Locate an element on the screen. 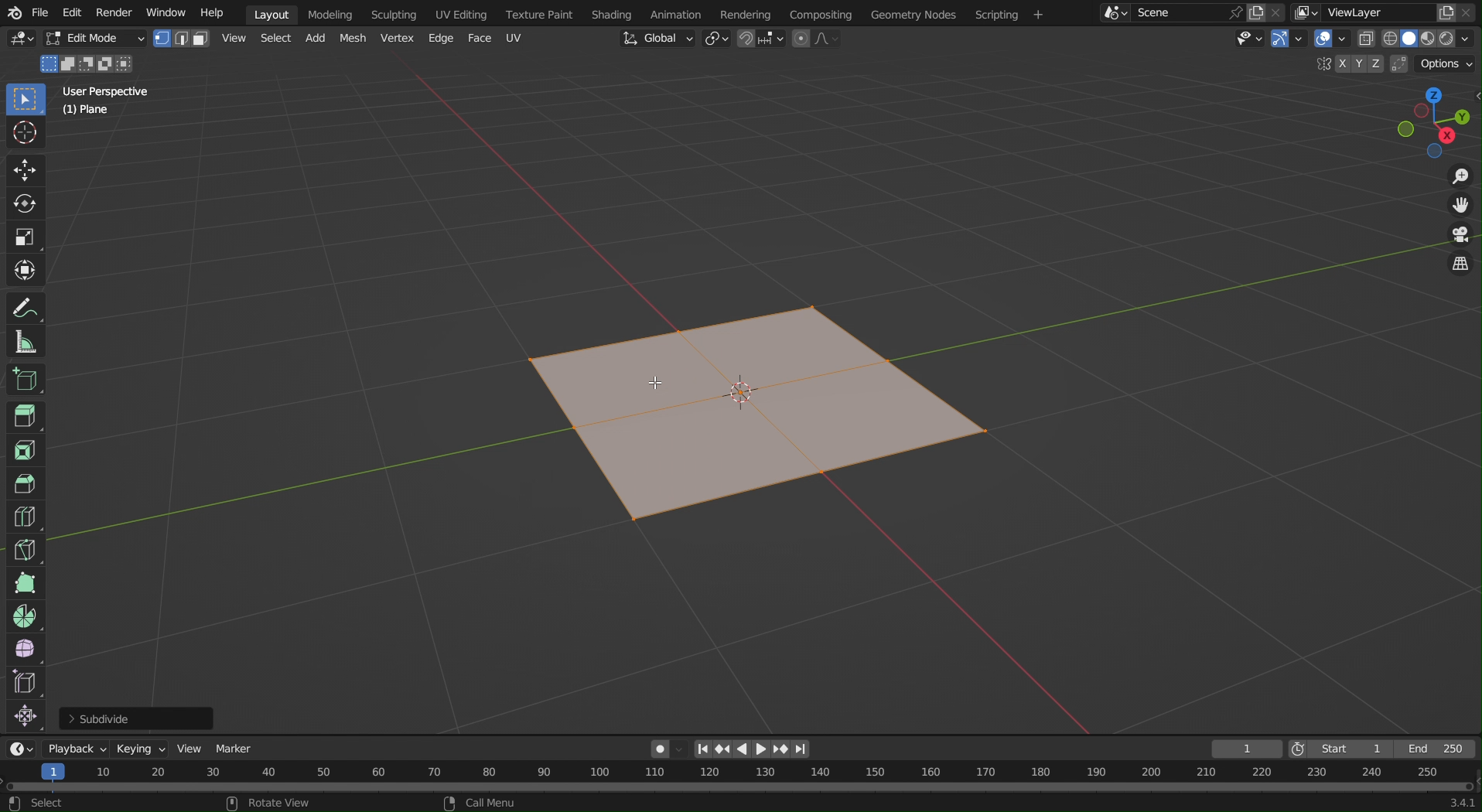  Editor Type is located at coordinates (19, 41).